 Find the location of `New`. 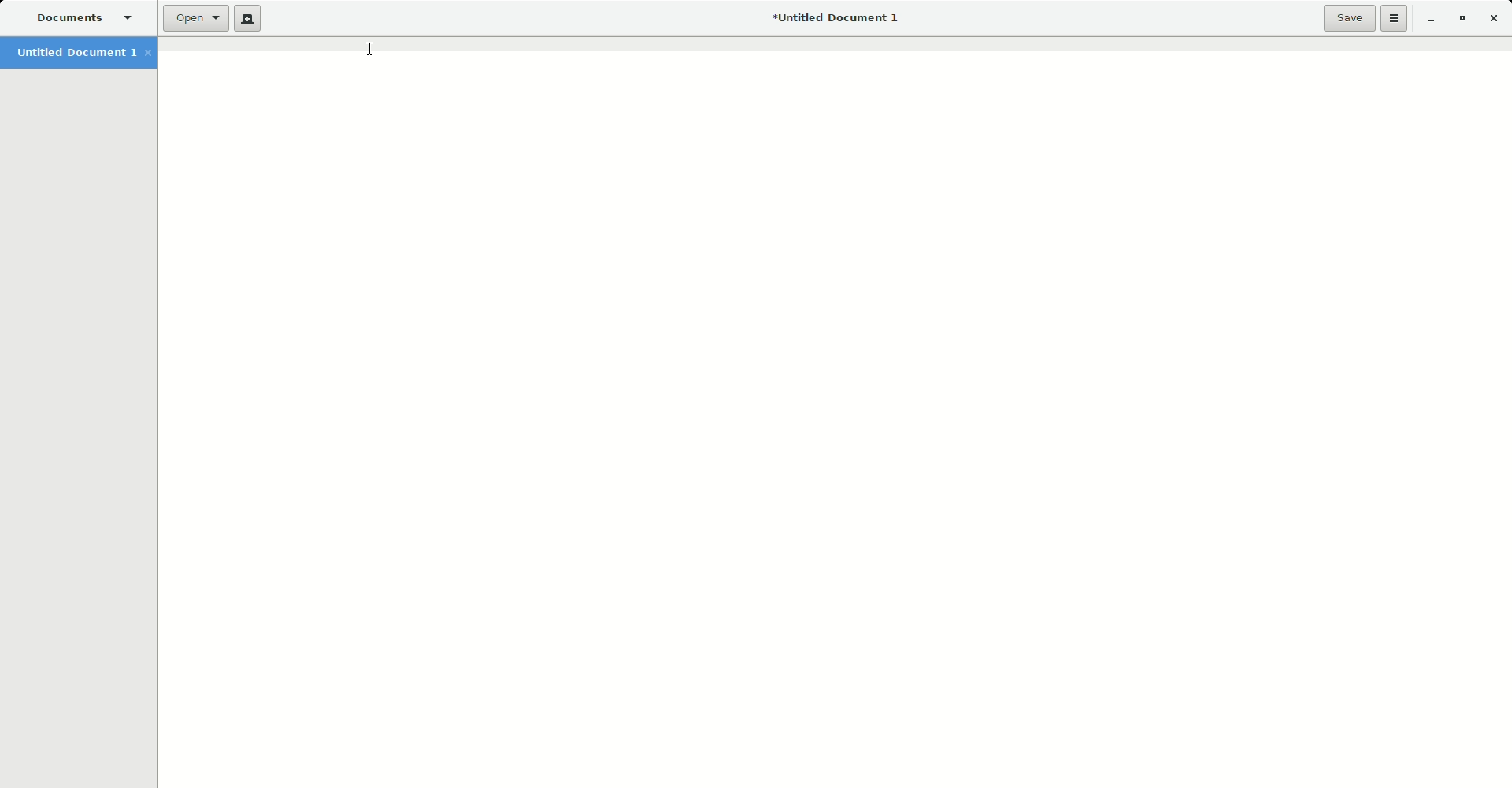

New is located at coordinates (248, 17).